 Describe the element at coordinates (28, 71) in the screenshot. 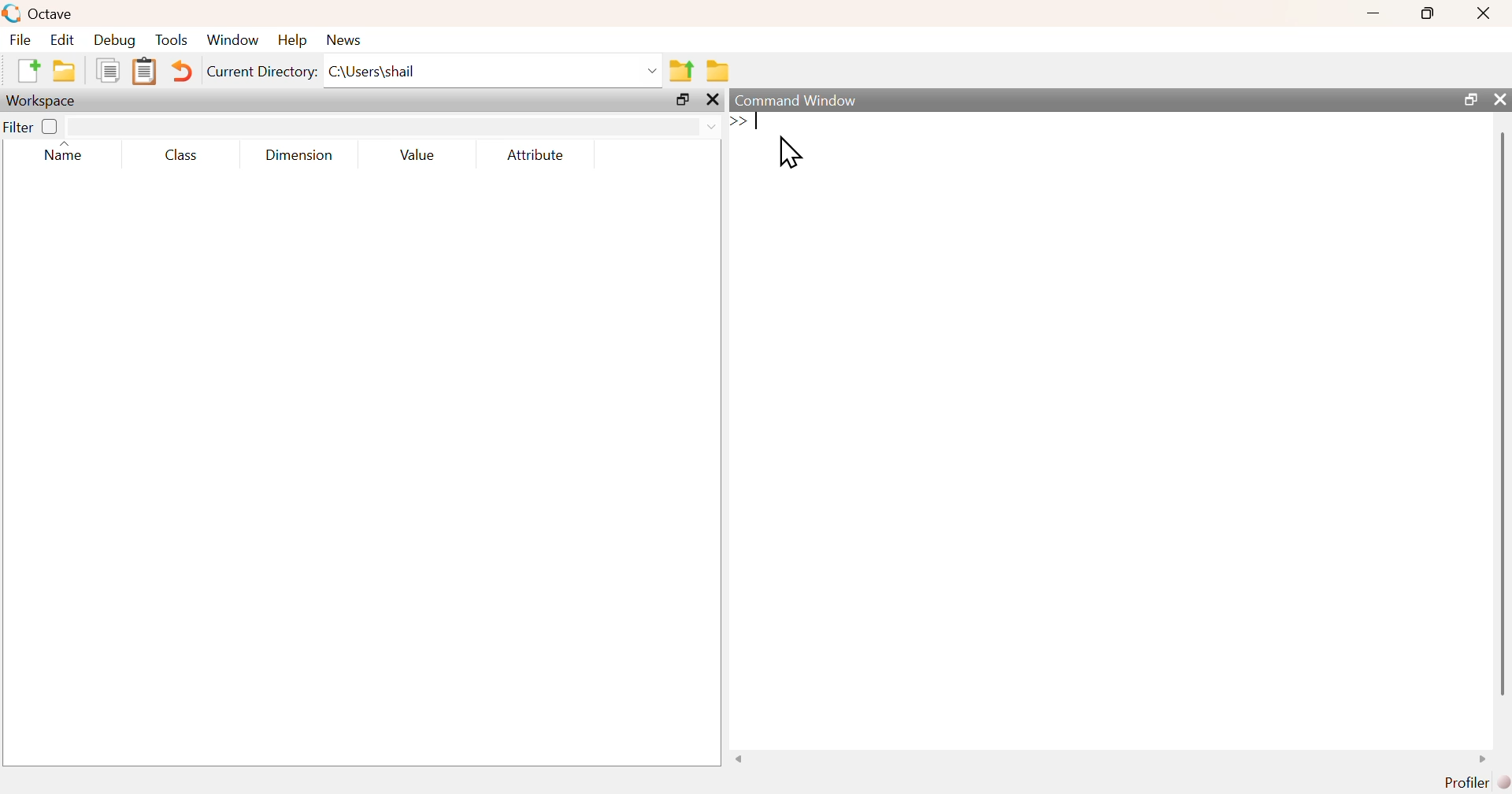

I see `New File` at that location.